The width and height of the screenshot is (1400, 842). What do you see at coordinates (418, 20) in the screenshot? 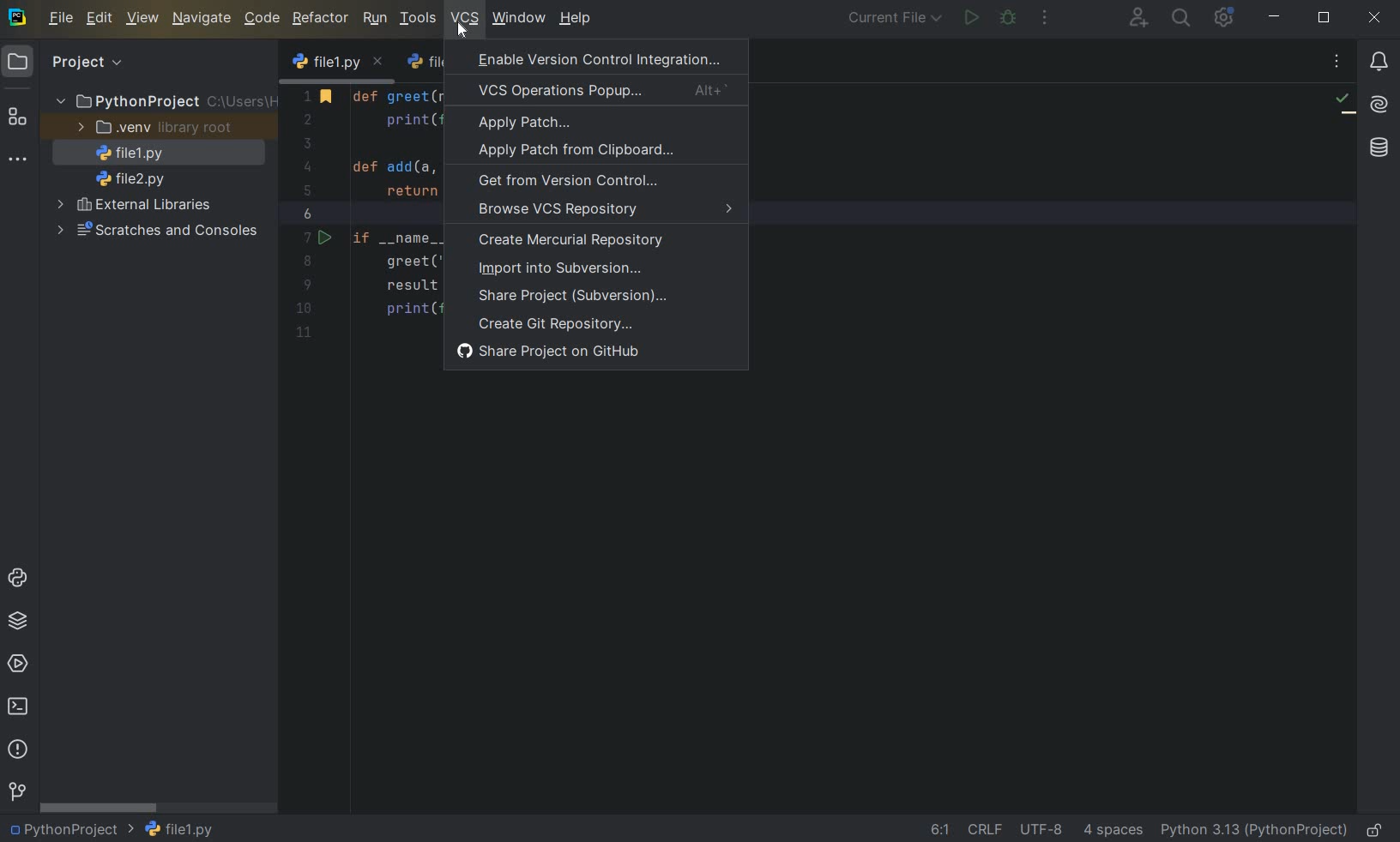
I see `tools` at bounding box center [418, 20].